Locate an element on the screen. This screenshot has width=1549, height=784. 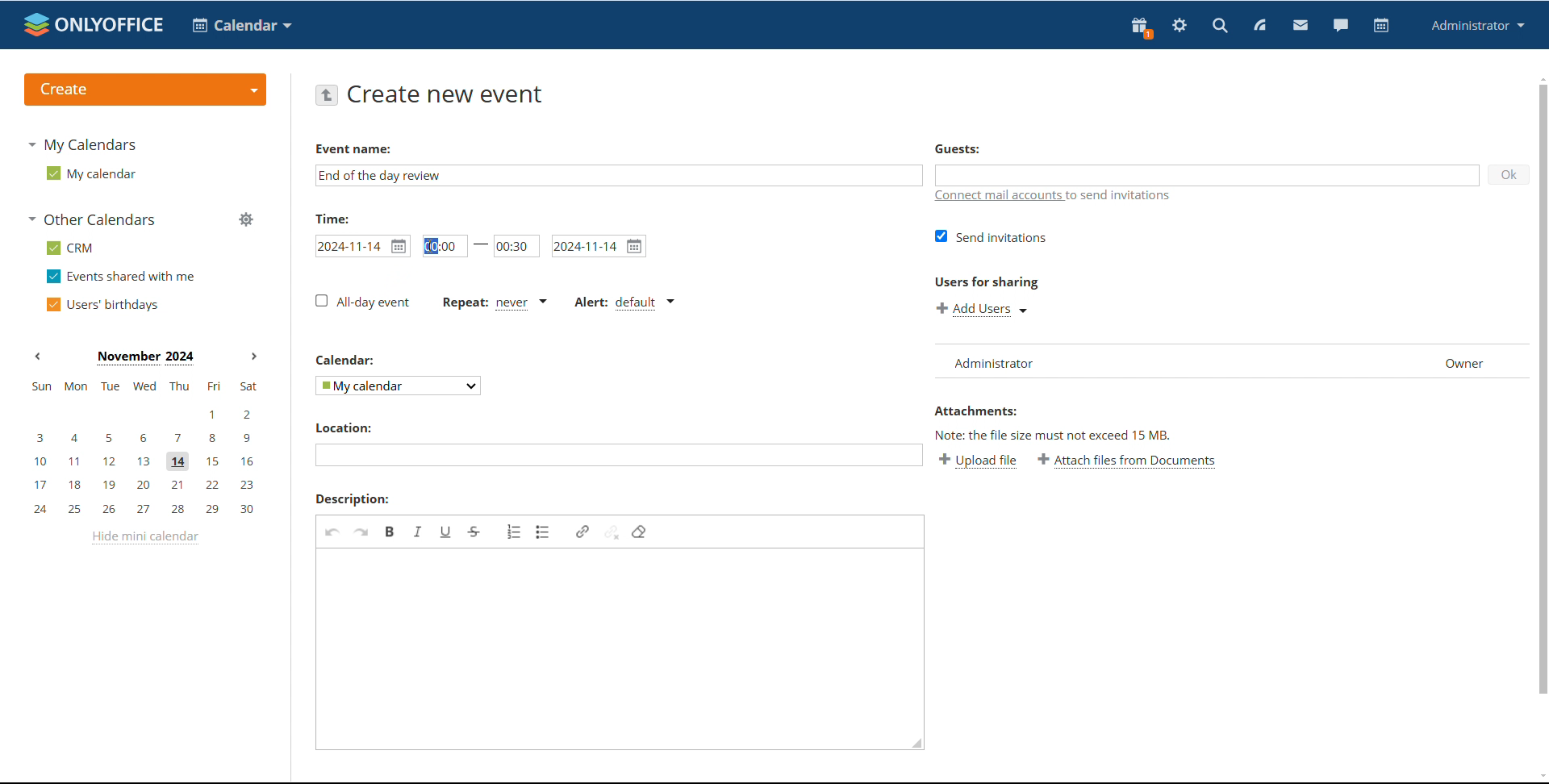
link is located at coordinates (582, 532).